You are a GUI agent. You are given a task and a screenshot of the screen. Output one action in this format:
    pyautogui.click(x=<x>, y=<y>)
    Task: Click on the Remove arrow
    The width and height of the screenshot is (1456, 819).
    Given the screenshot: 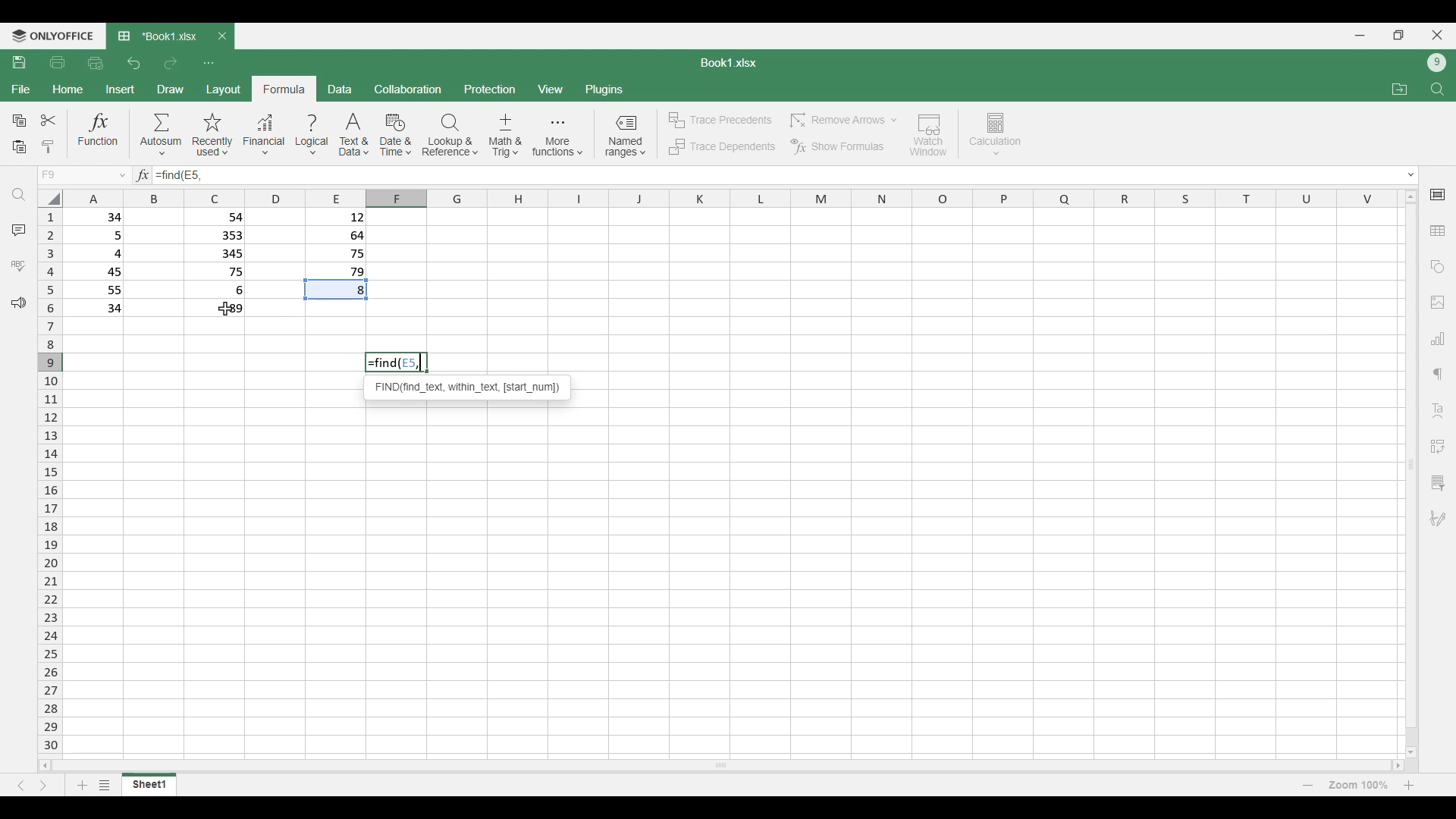 What is the action you would take?
    pyautogui.click(x=842, y=121)
    